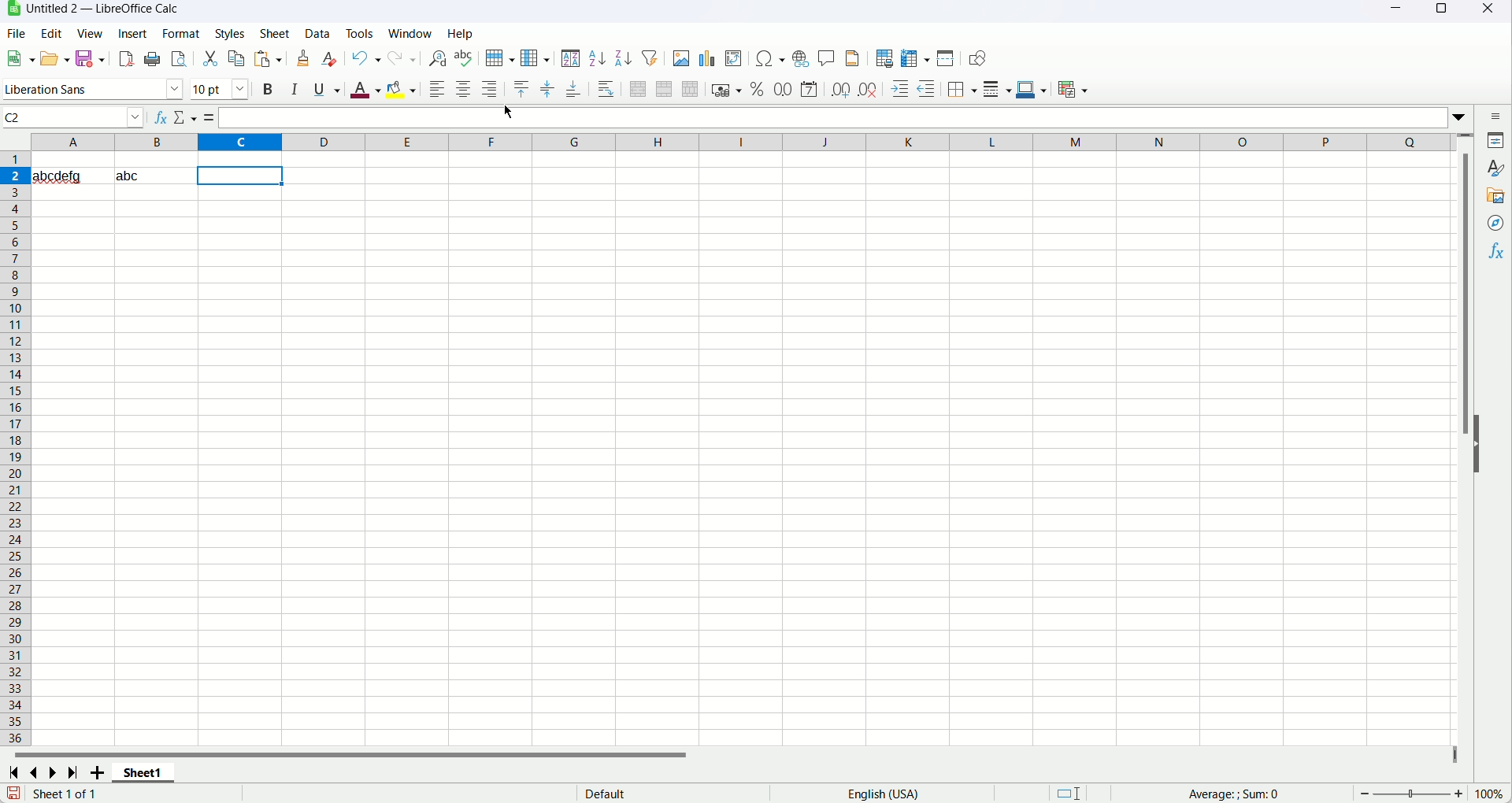 This screenshot has width=1512, height=803. What do you see at coordinates (220, 89) in the screenshot?
I see `font size` at bounding box center [220, 89].